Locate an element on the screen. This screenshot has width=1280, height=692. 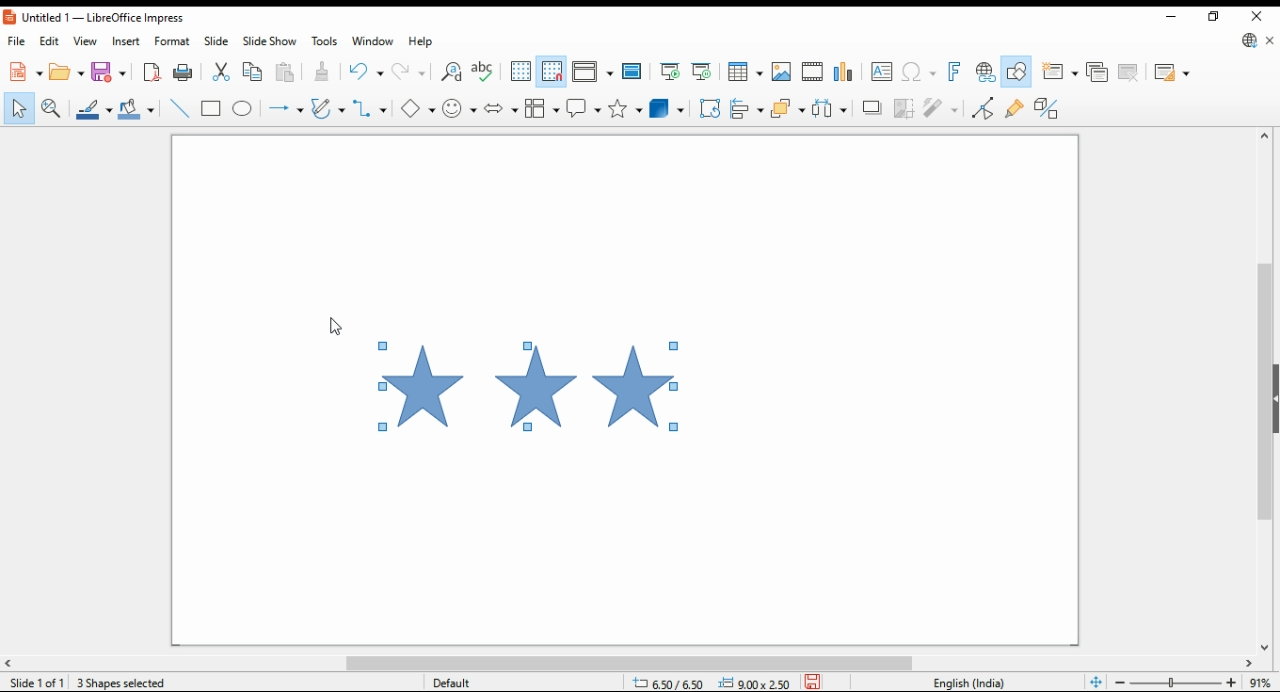
view is located at coordinates (86, 41).